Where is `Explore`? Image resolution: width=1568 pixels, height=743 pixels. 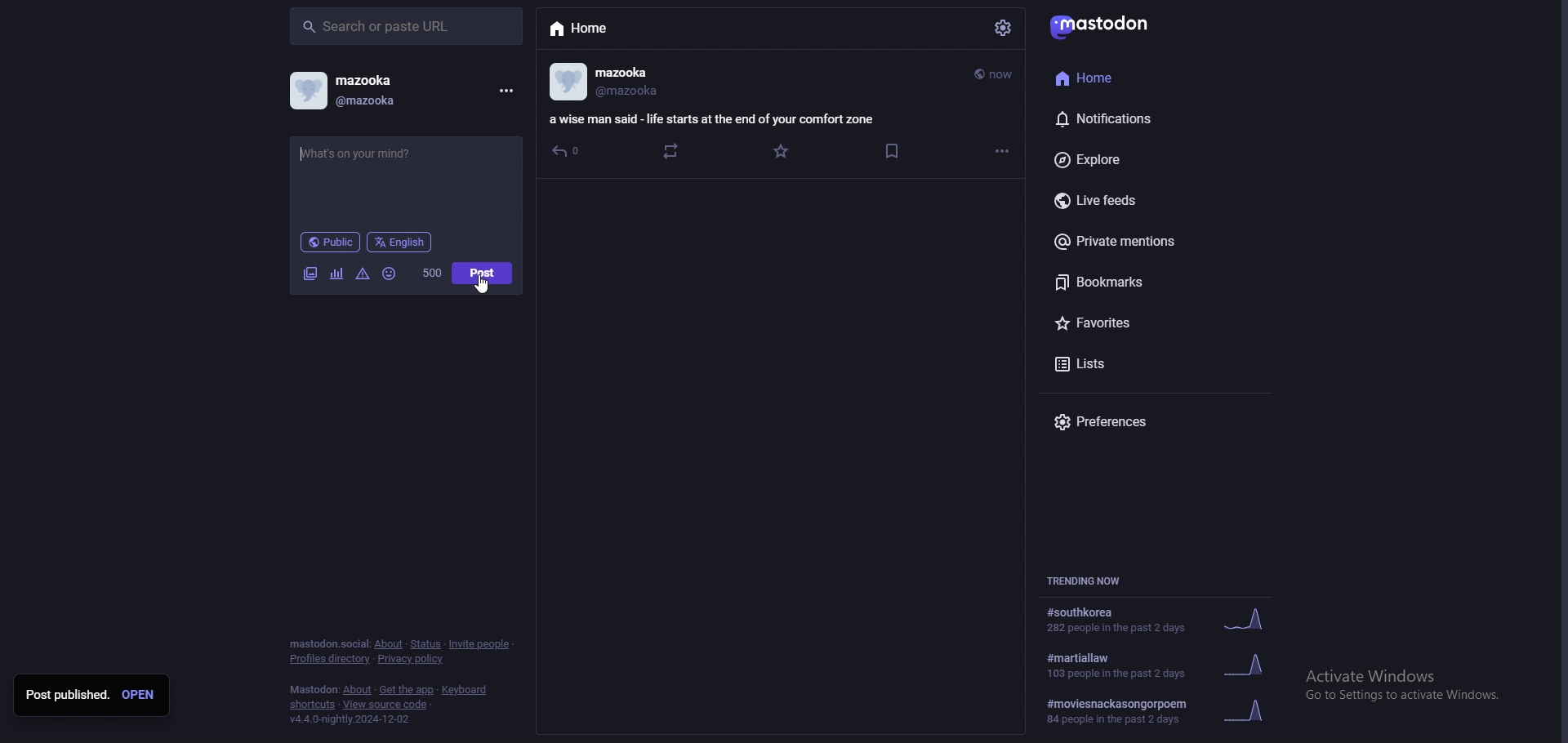 Explore is located at coordinates (1137, 158).